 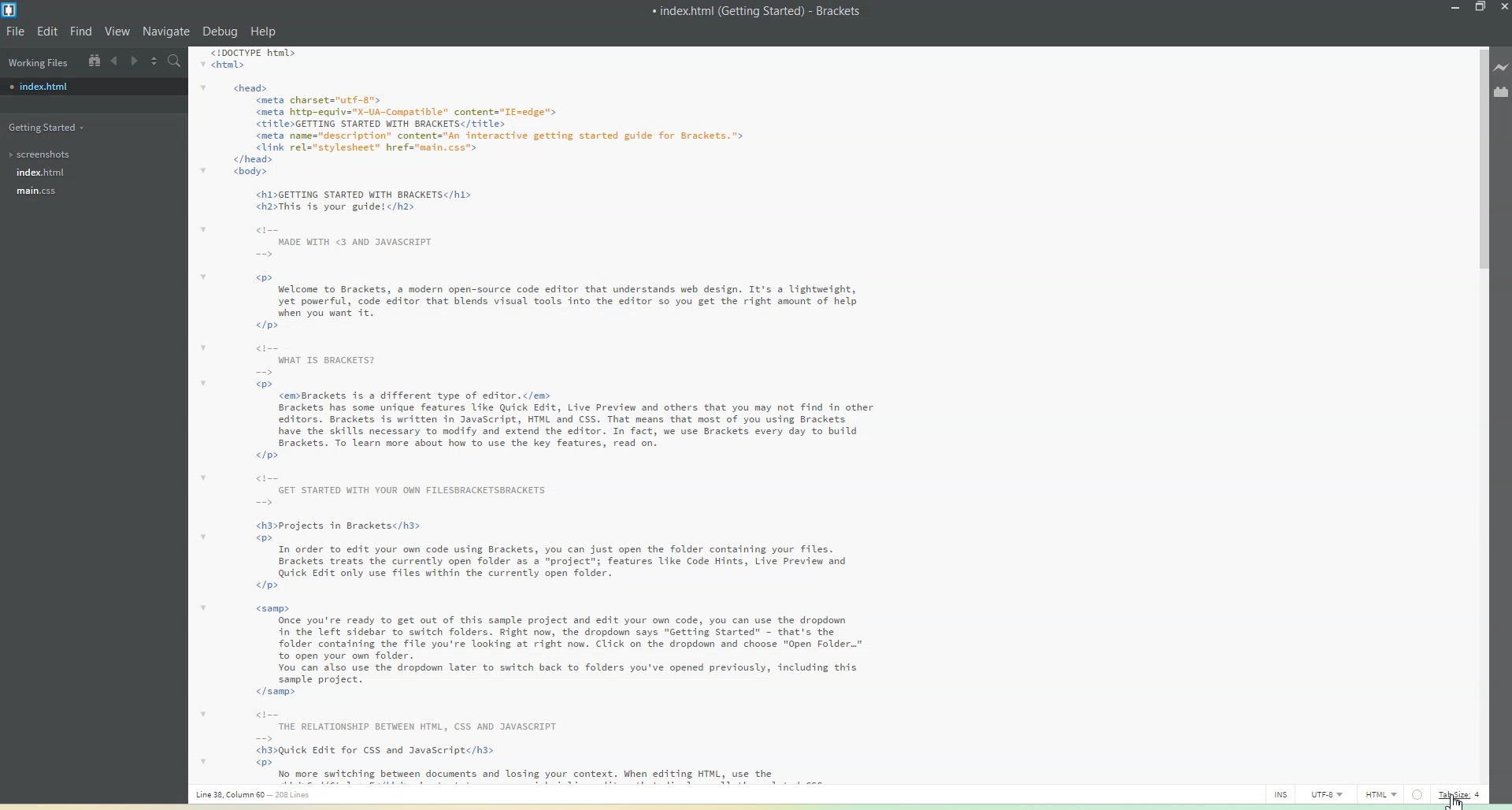 What do you see at coordinates (1502, 91) in the screenshot?
I see `Extensions Manager` at bounding box center [1502, 91].